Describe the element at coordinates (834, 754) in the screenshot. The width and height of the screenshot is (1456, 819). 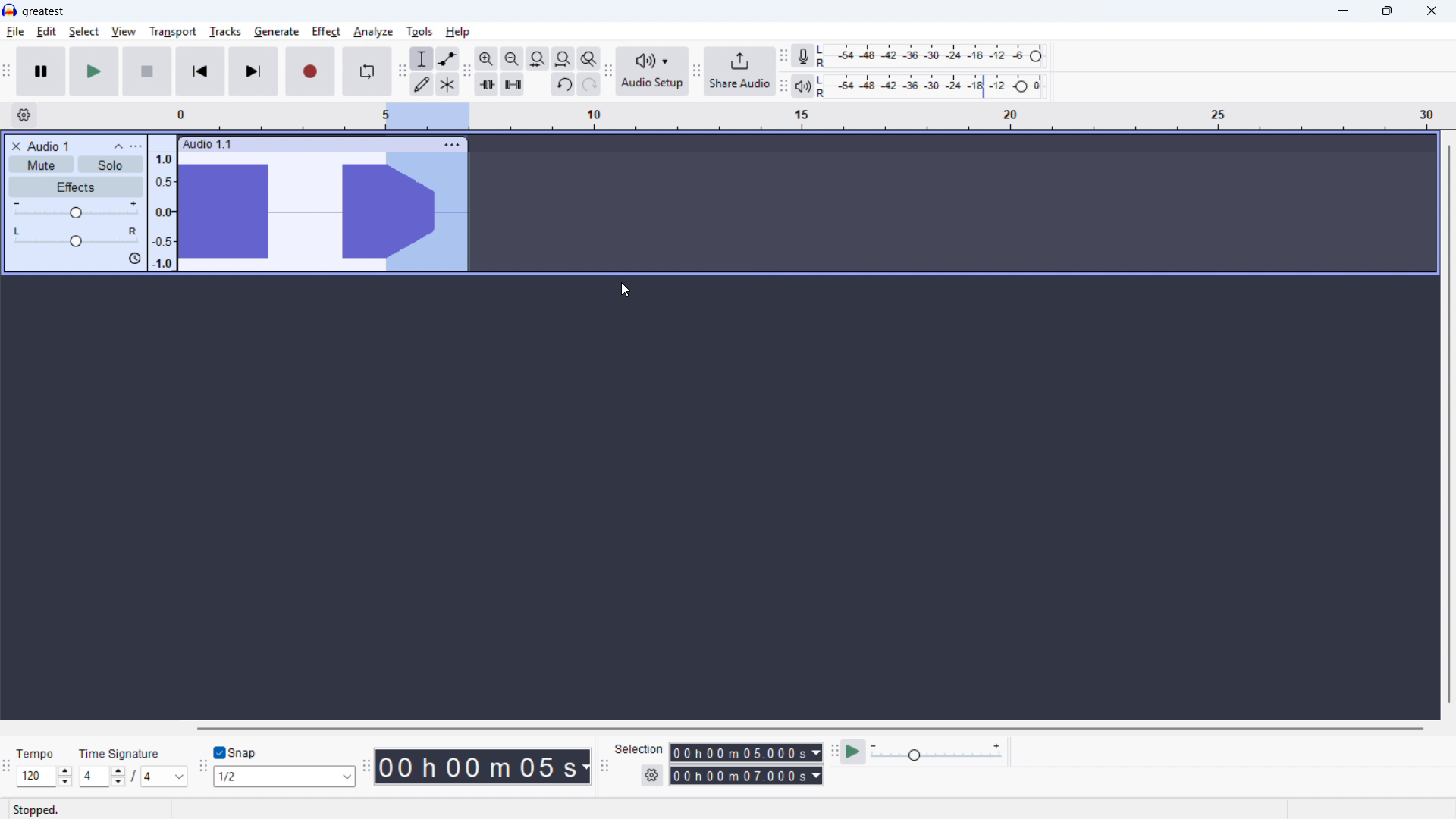
I see `Play at speed toolbar ` at that location.